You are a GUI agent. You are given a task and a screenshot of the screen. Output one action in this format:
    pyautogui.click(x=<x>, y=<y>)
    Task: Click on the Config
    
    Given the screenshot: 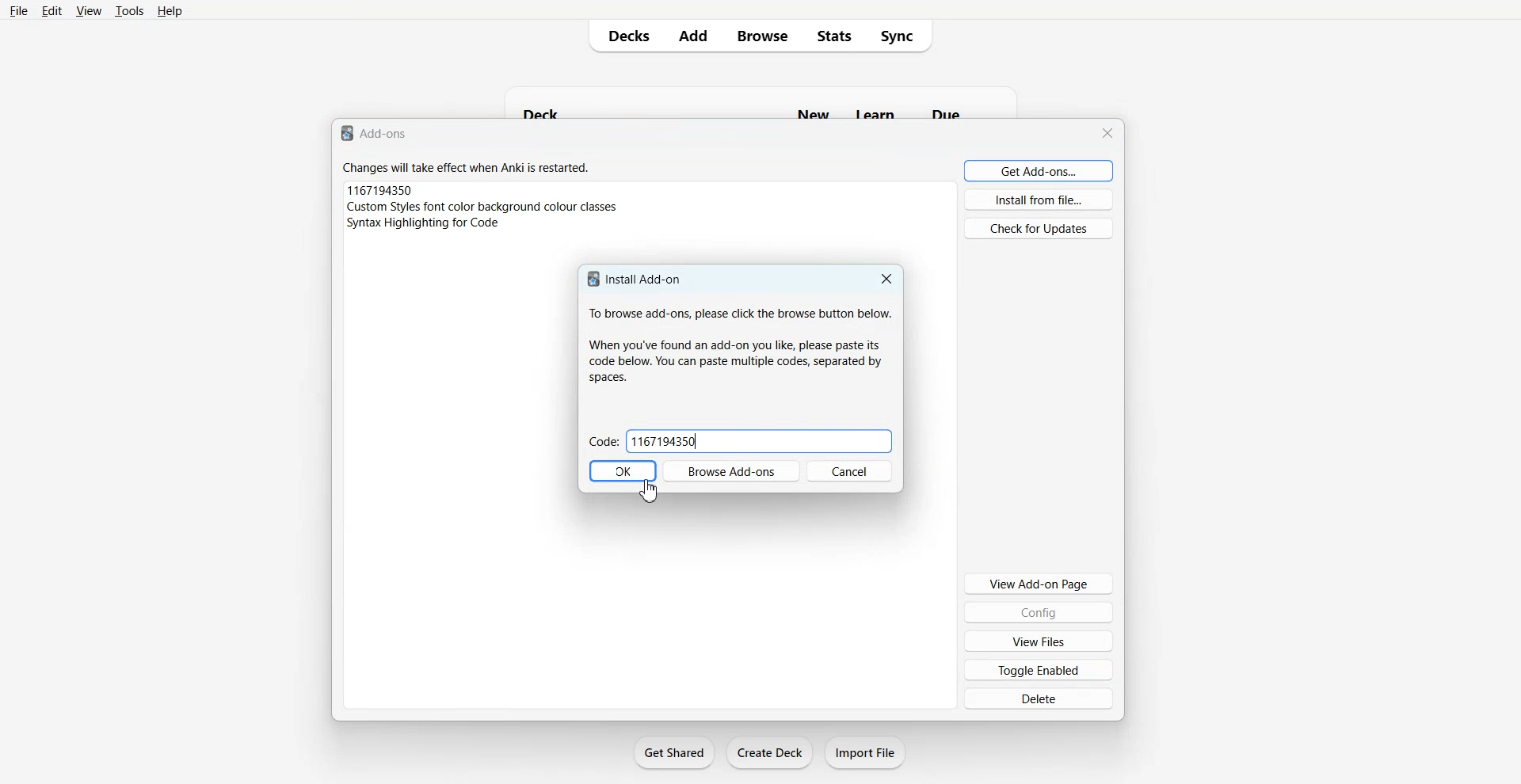 What is the action you would take?
    pyautogui.click(x=1039, y=612)
    